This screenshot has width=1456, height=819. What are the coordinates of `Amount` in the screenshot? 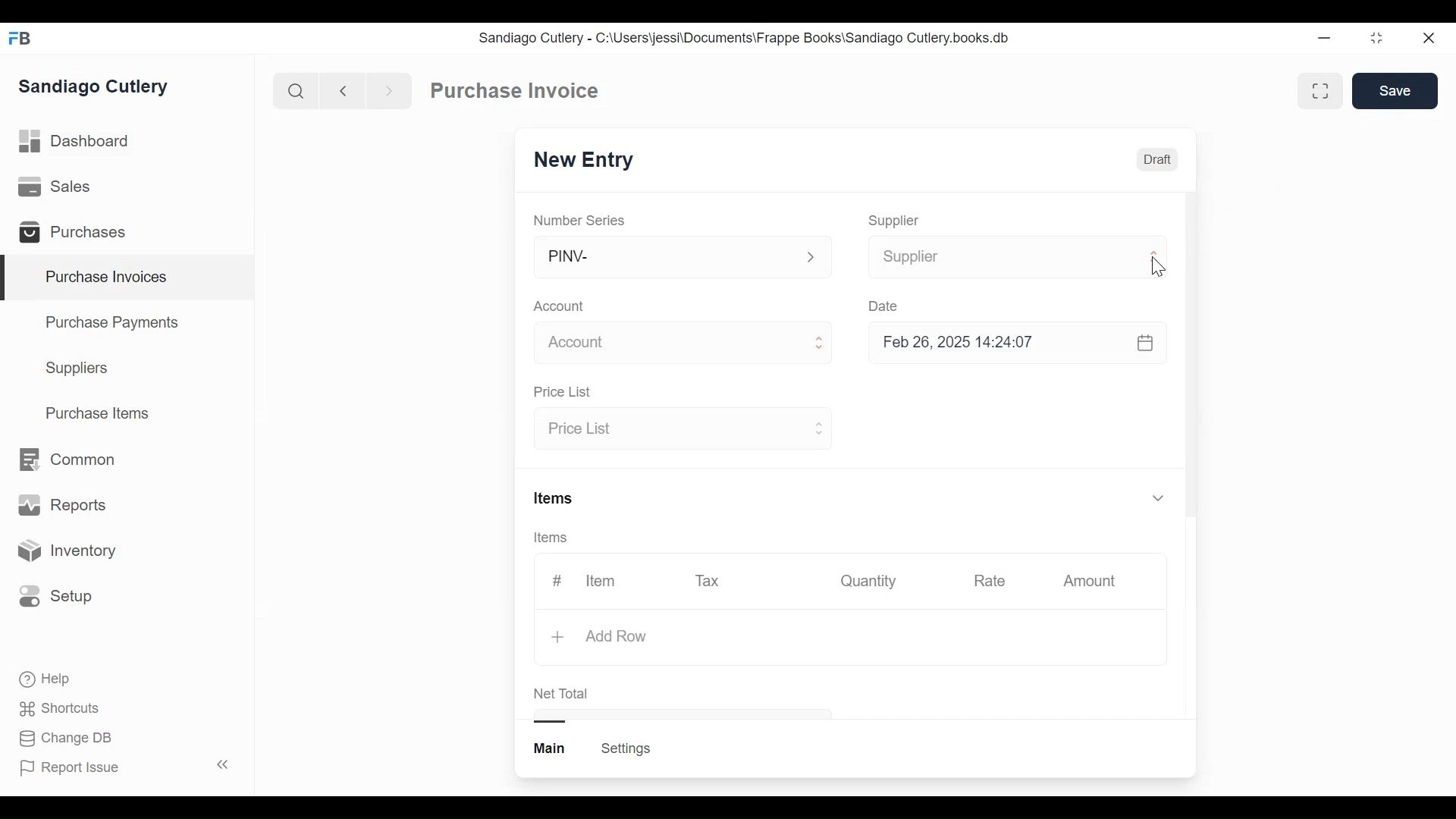 It's located at (1093, 582).